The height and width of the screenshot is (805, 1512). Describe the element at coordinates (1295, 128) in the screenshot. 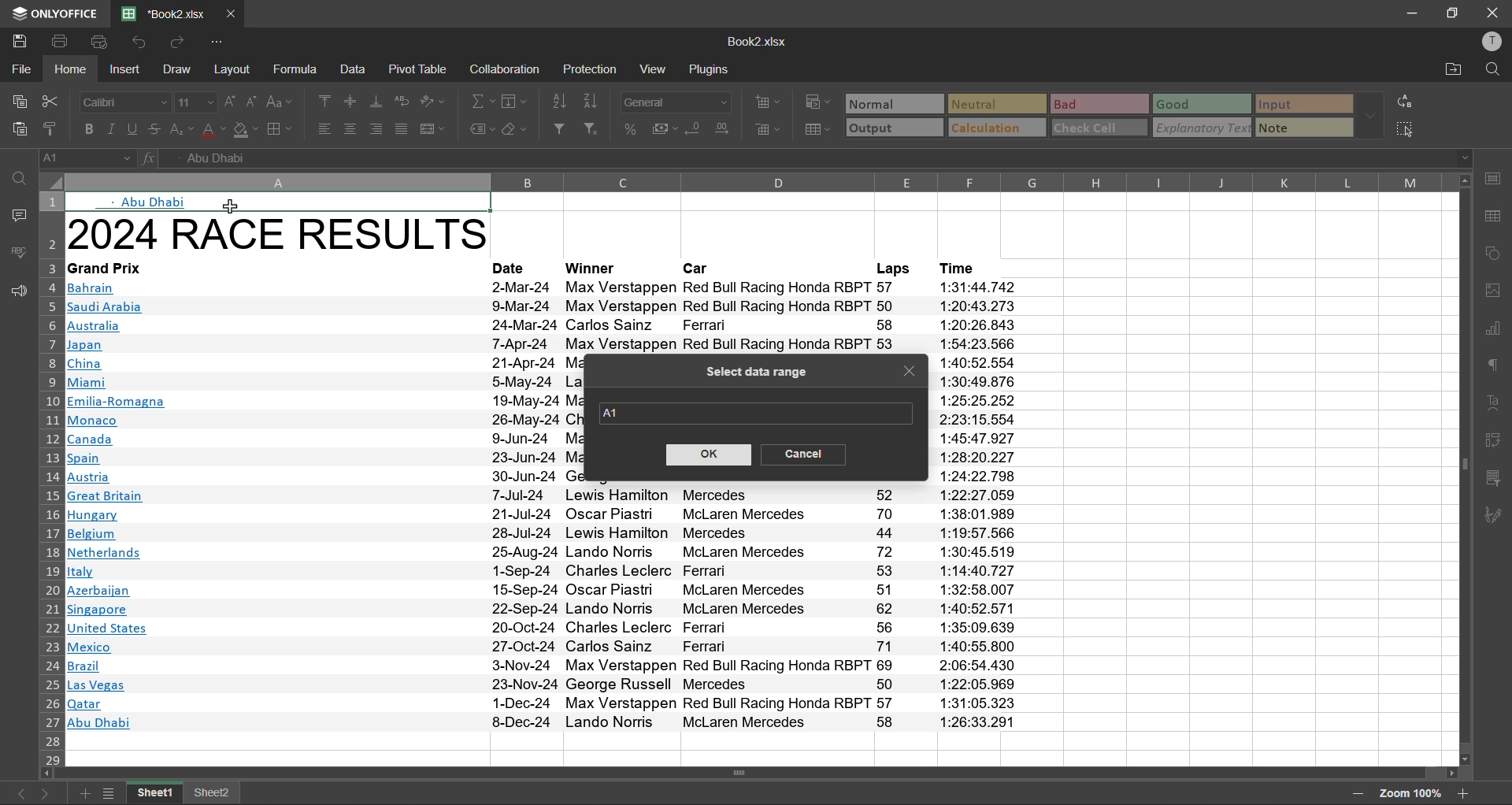

I see `note` at that location.